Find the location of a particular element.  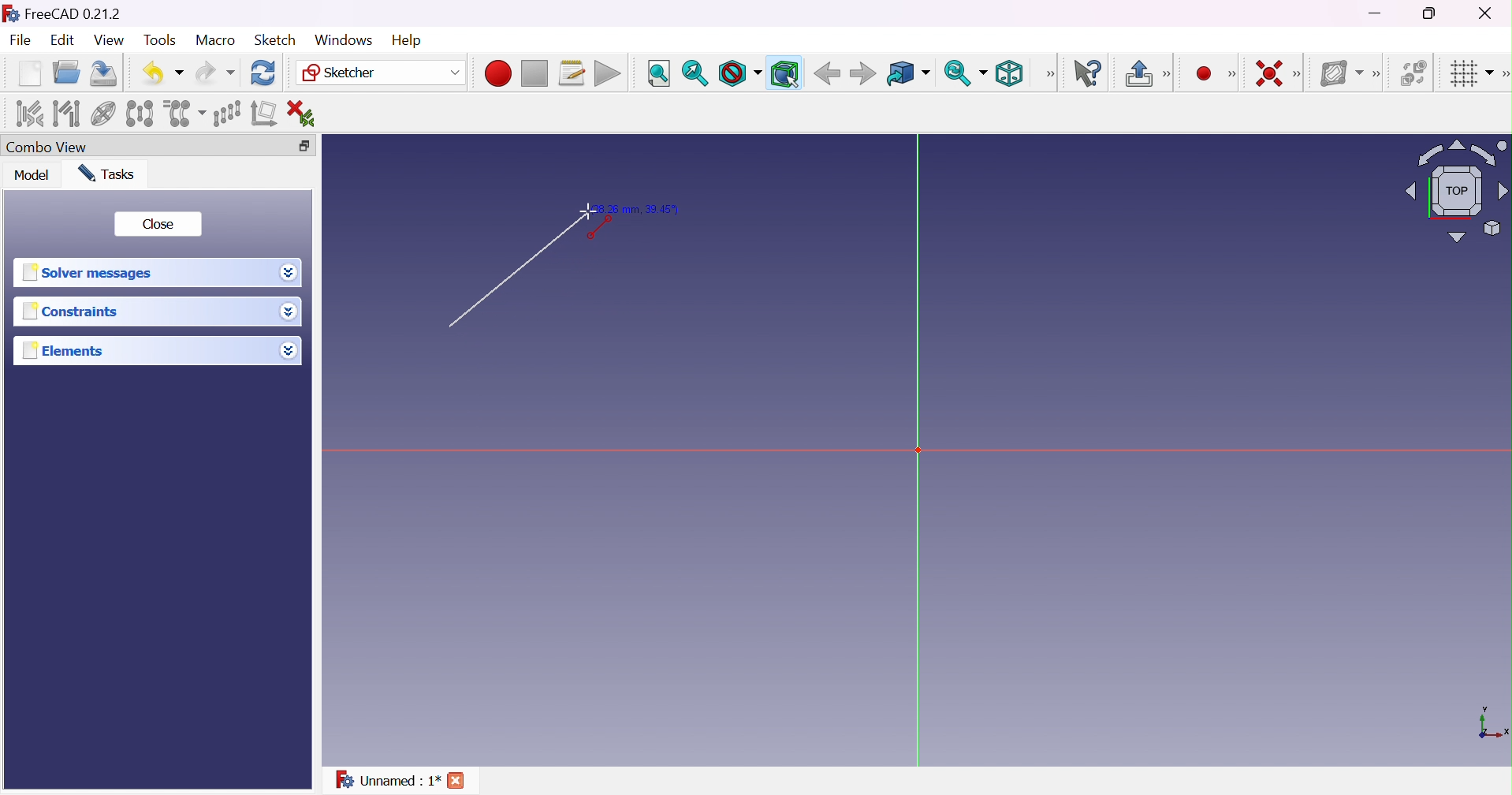

Help is located at coordinates (406, 39).